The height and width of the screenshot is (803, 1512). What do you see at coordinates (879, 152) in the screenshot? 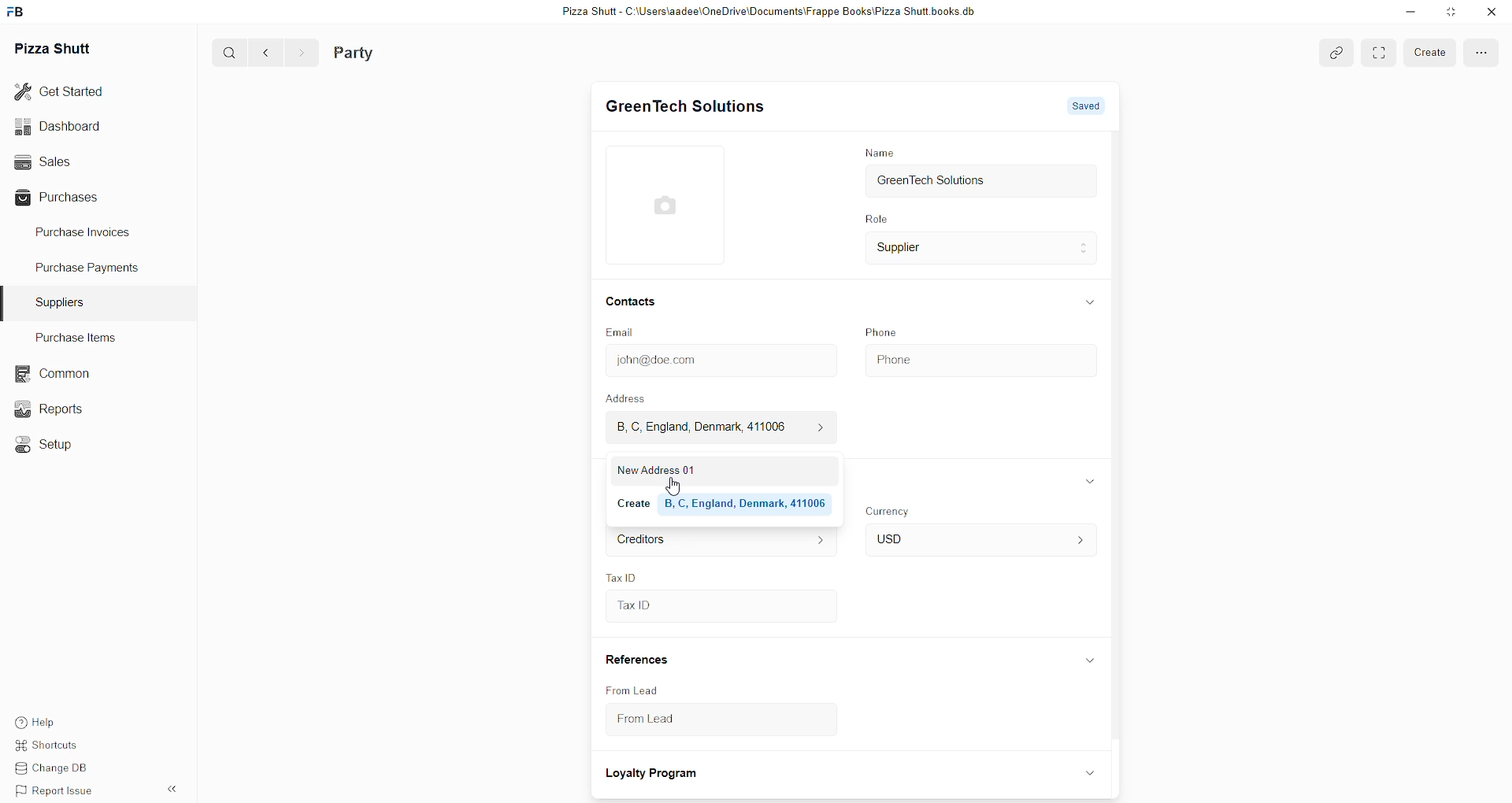
I see `Name` at bounding box center [879, 152].